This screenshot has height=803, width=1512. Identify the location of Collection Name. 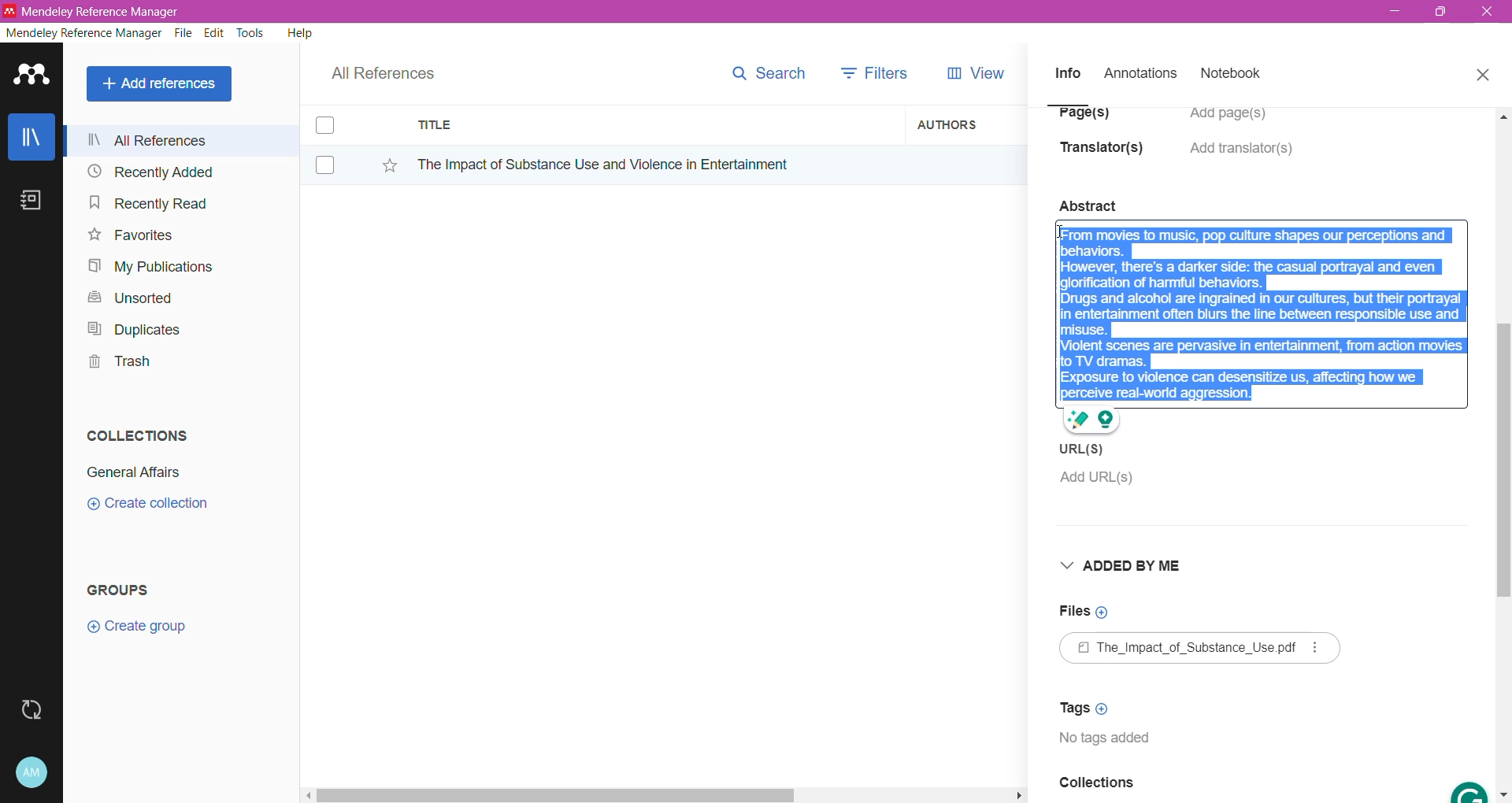
(131, 472).